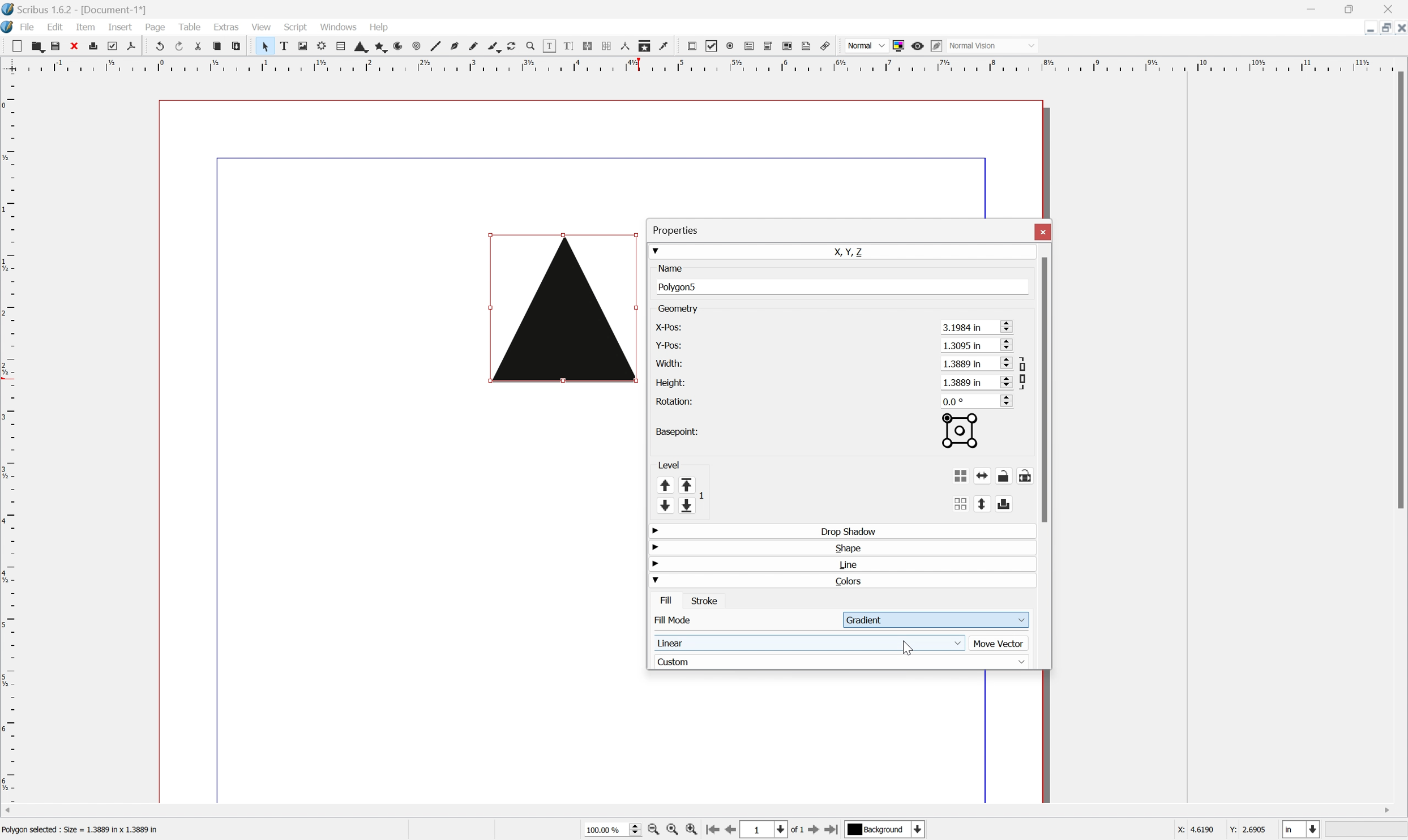 Image resolution: width=1408 pixels, height=840 pixels. Describe the element at coordinates (1399, 290) in the screenshot. I see `Scroll Bar` at that location.